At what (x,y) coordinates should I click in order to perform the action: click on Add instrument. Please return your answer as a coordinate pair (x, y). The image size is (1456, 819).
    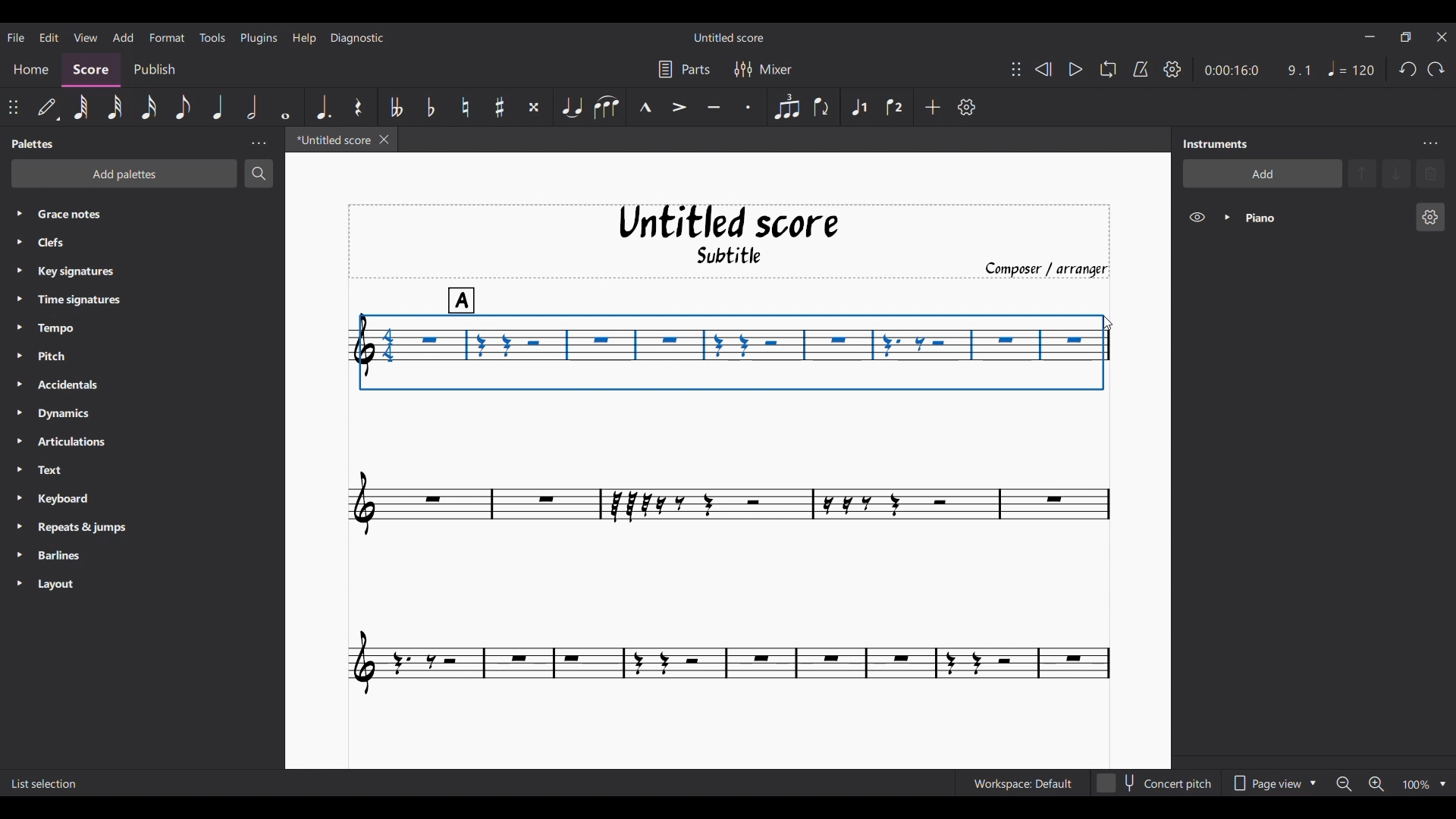
    Looking at the image, I should click on (1263, 174).